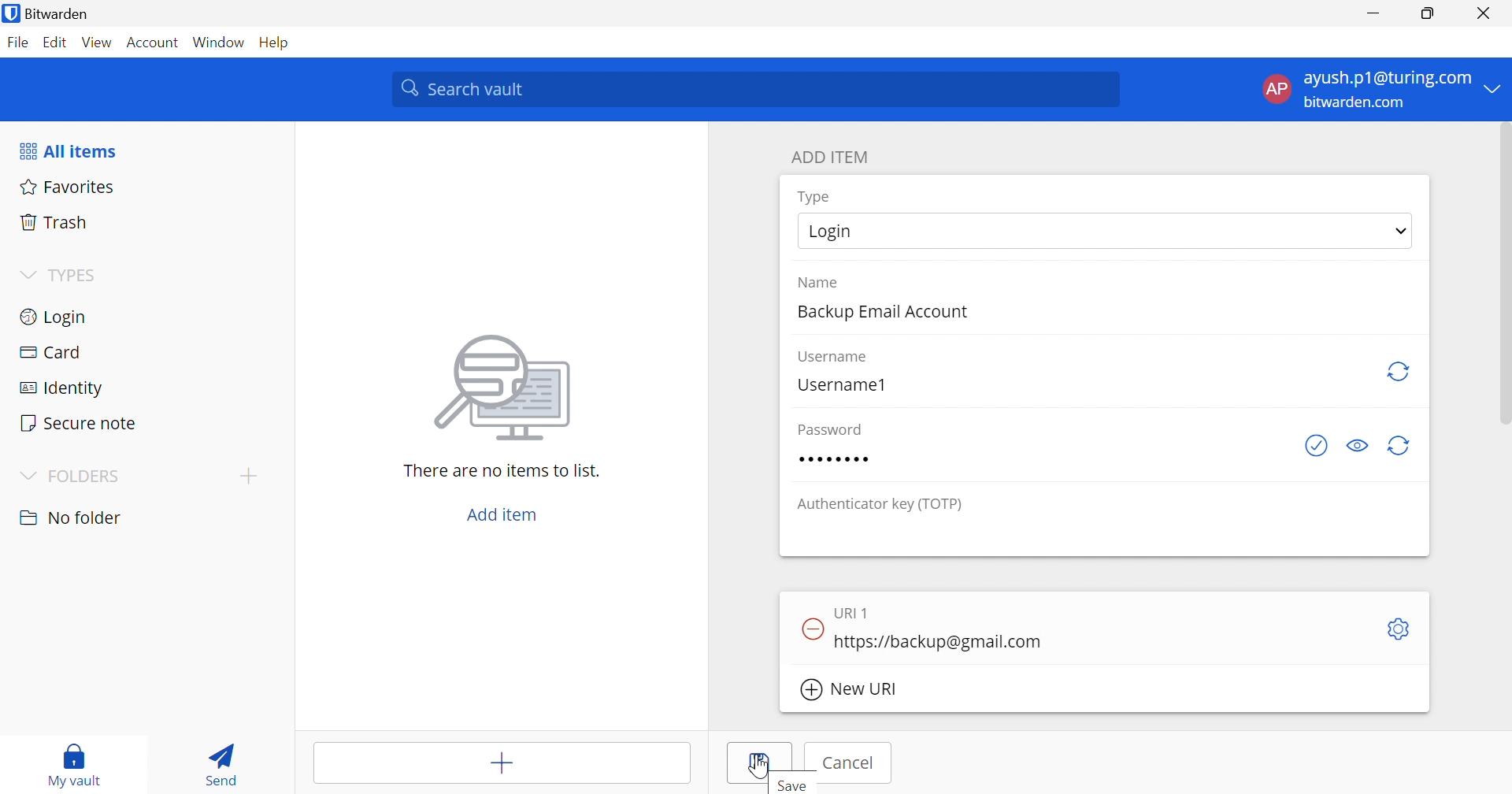  Describe the element at coordinates (249, 477) in the screenshot. I see `Add folder` at that location.